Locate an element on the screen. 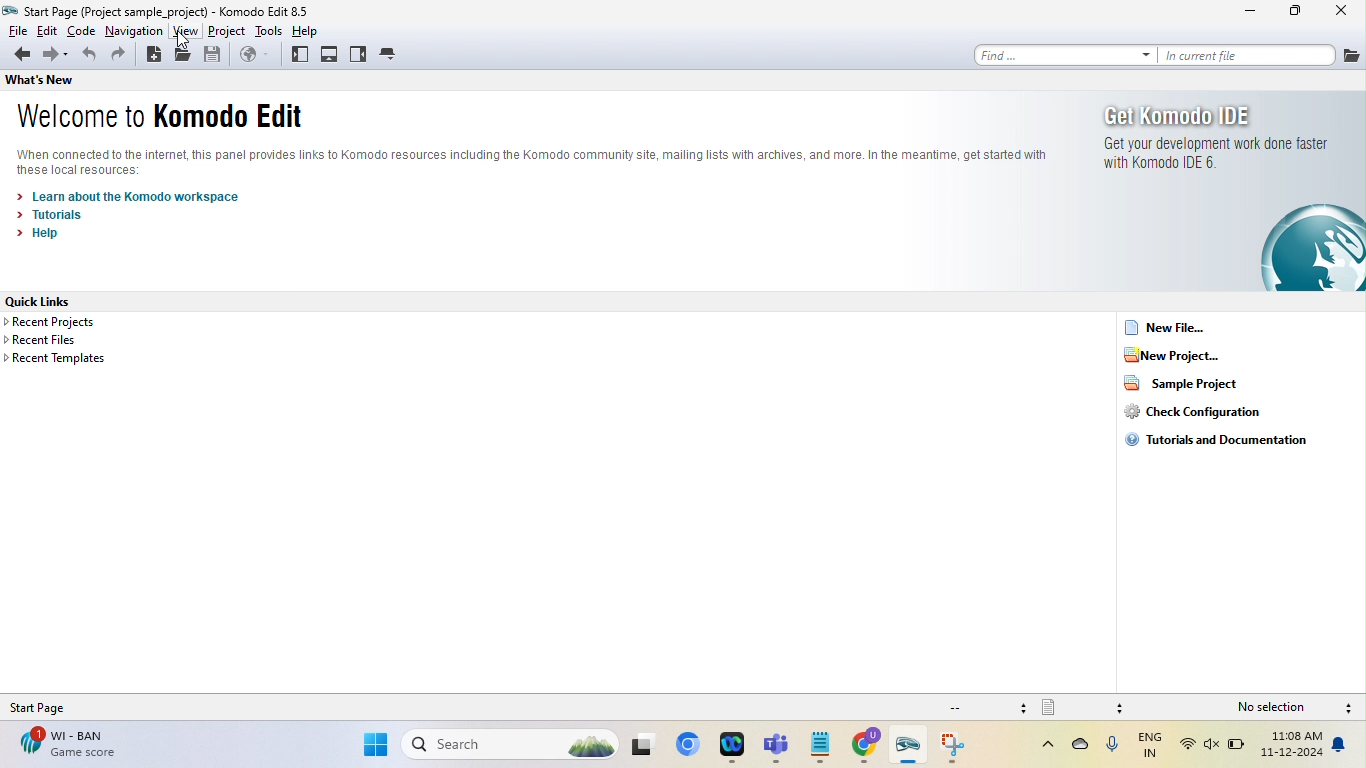 This screenshot has height=768, width=1366. recent templates is located at coordinates (60, 359).